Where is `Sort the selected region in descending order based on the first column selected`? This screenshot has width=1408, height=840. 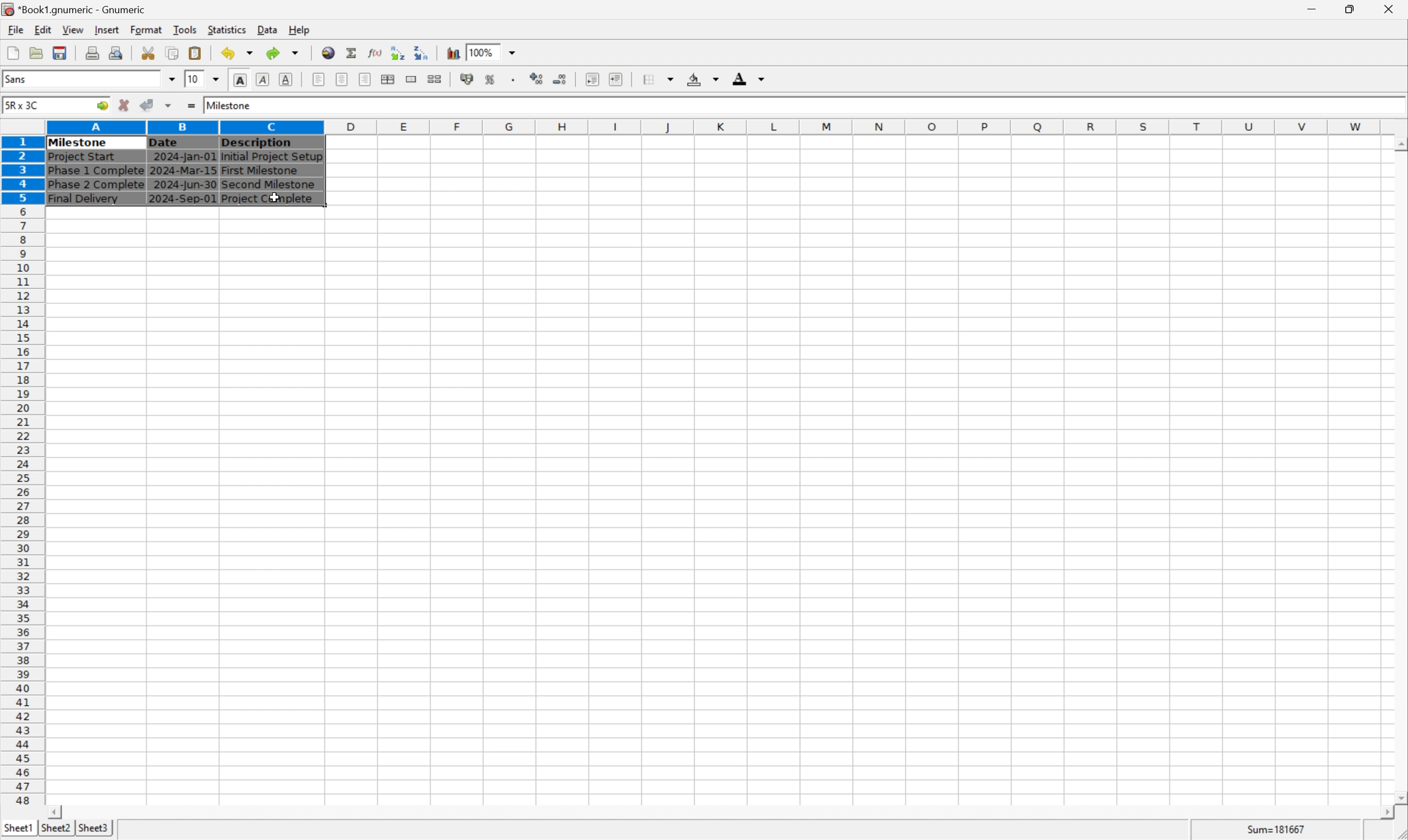
Sort the selected region in descending order based on the first column selected is located at coordinates (422, 52).